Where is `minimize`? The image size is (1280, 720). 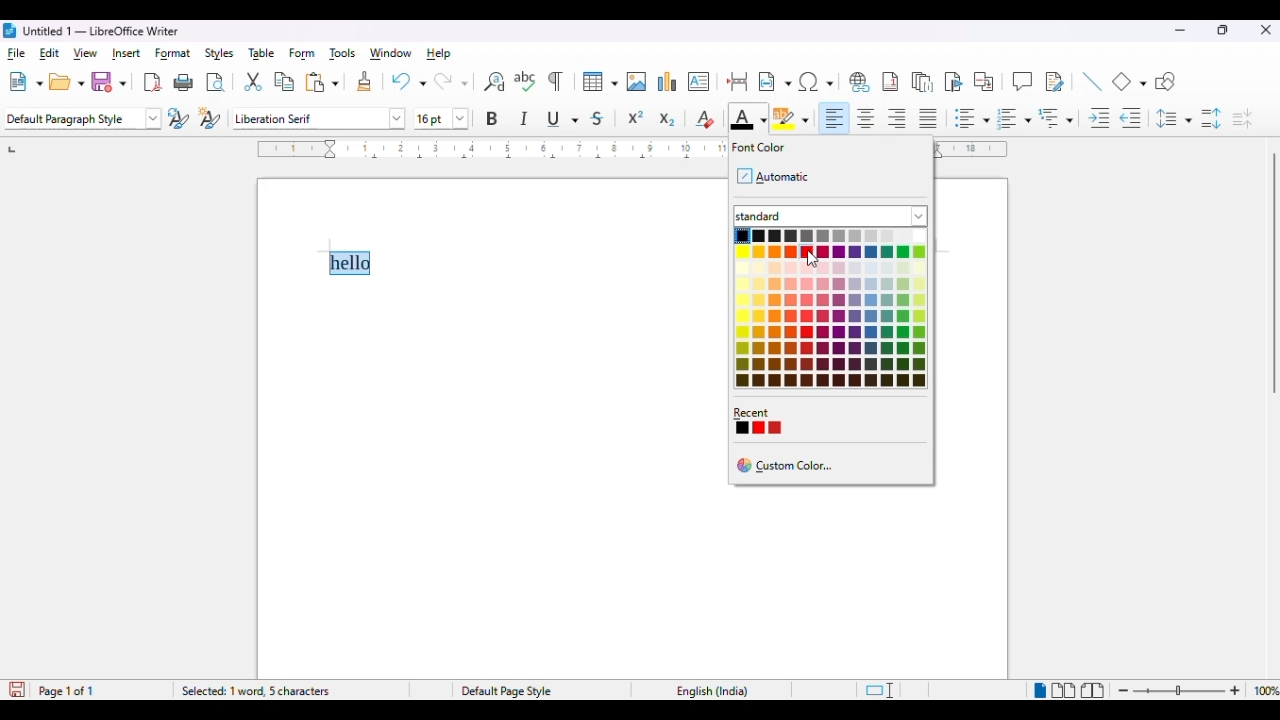
minimize is located at coordinates (1179, 30).